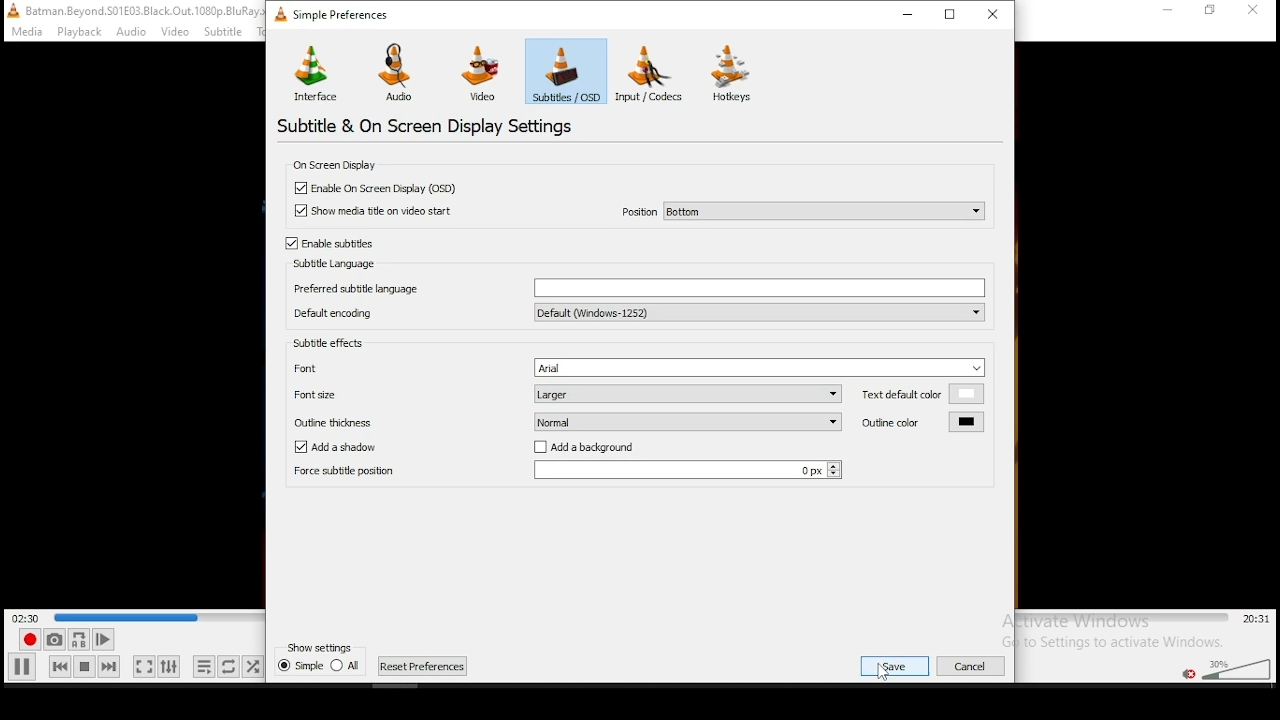 This screenshot has height=720, width=1280. What do you see at coordinates (313, 72) in the screenshot?
I see `interface` at bounding box center [313, 72].